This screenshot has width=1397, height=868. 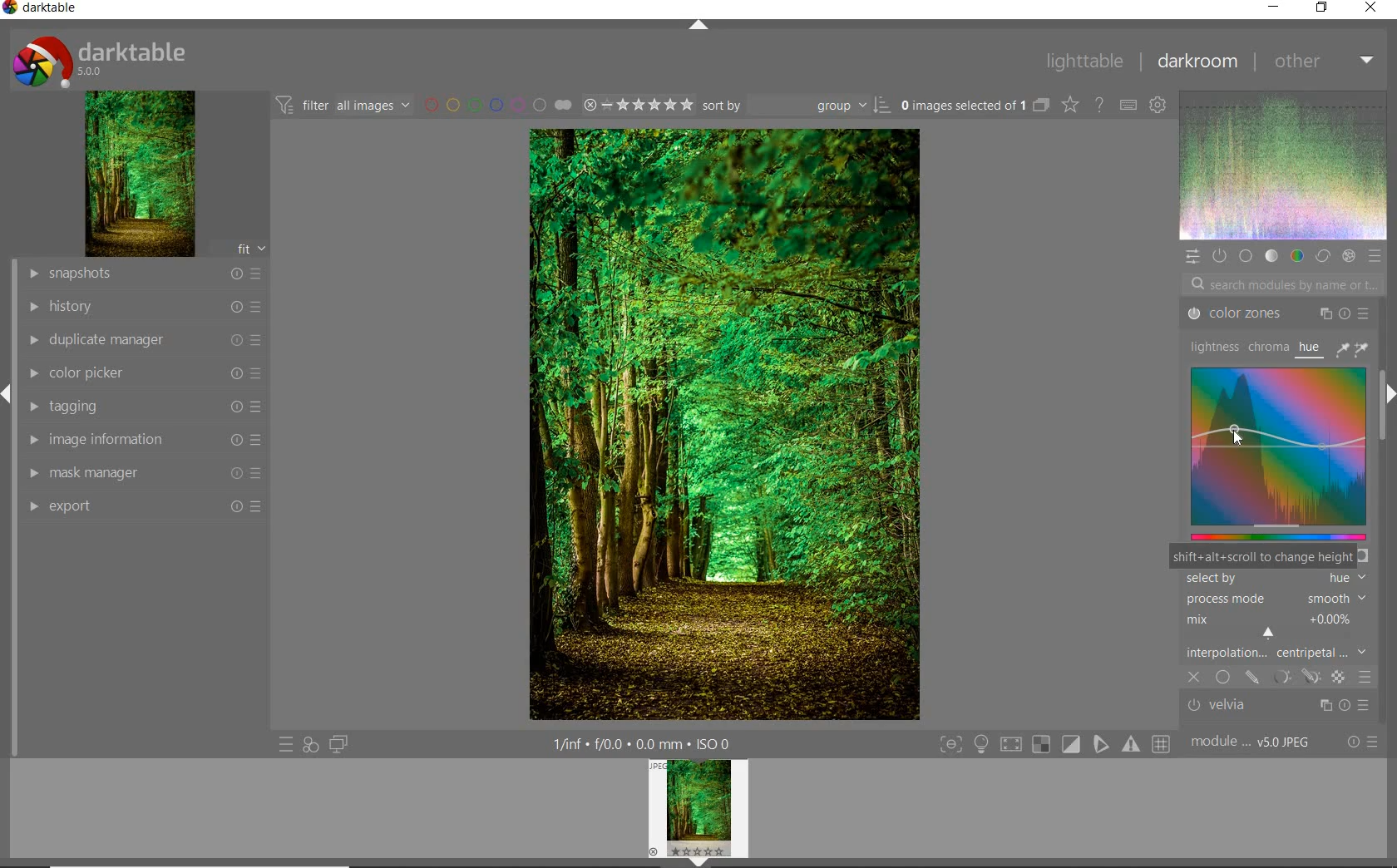 I want to click on select by hue, so click(x=1274, y=577).